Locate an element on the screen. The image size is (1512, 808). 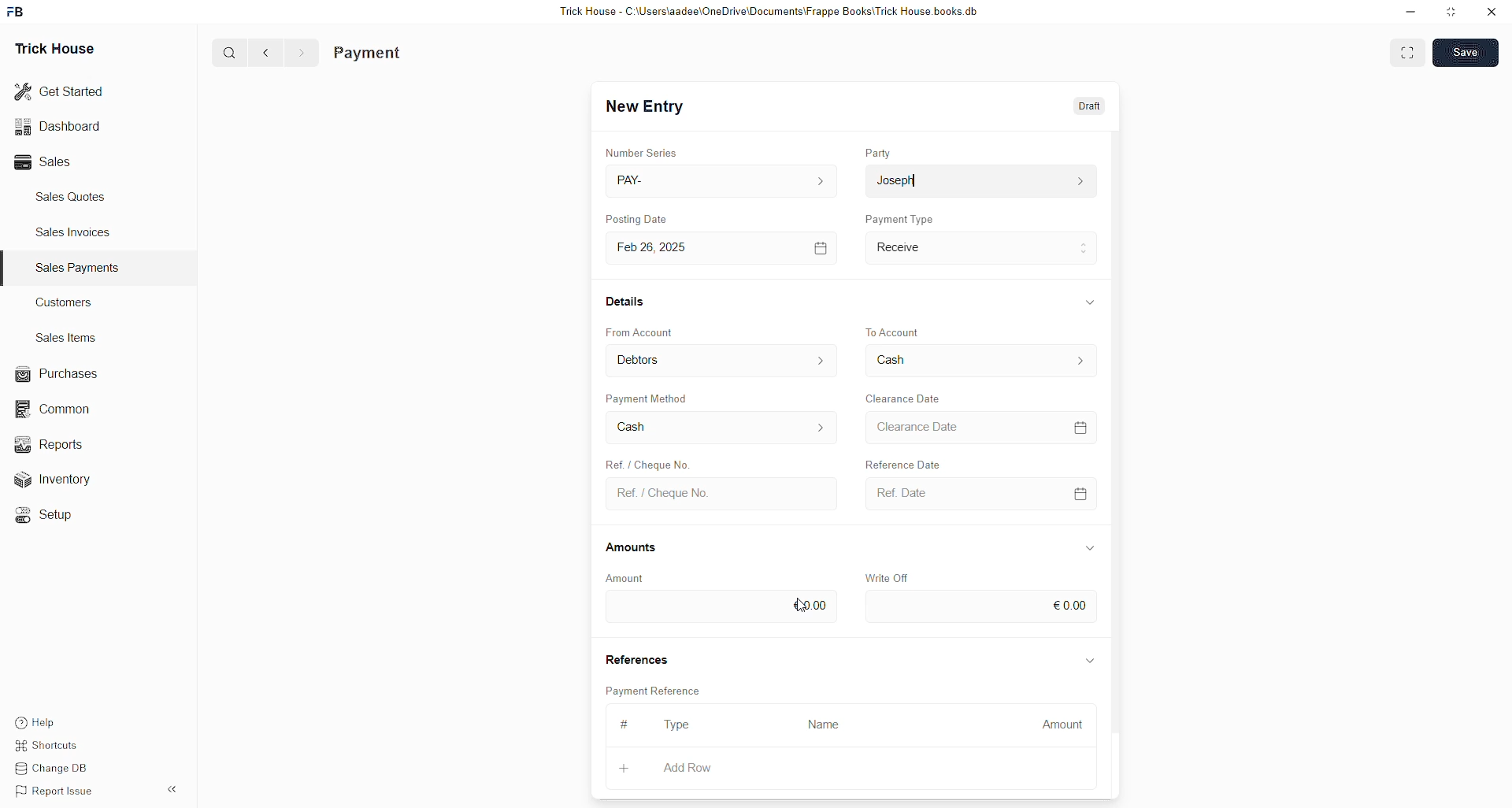
resize is located at coordinates (1452, 12).